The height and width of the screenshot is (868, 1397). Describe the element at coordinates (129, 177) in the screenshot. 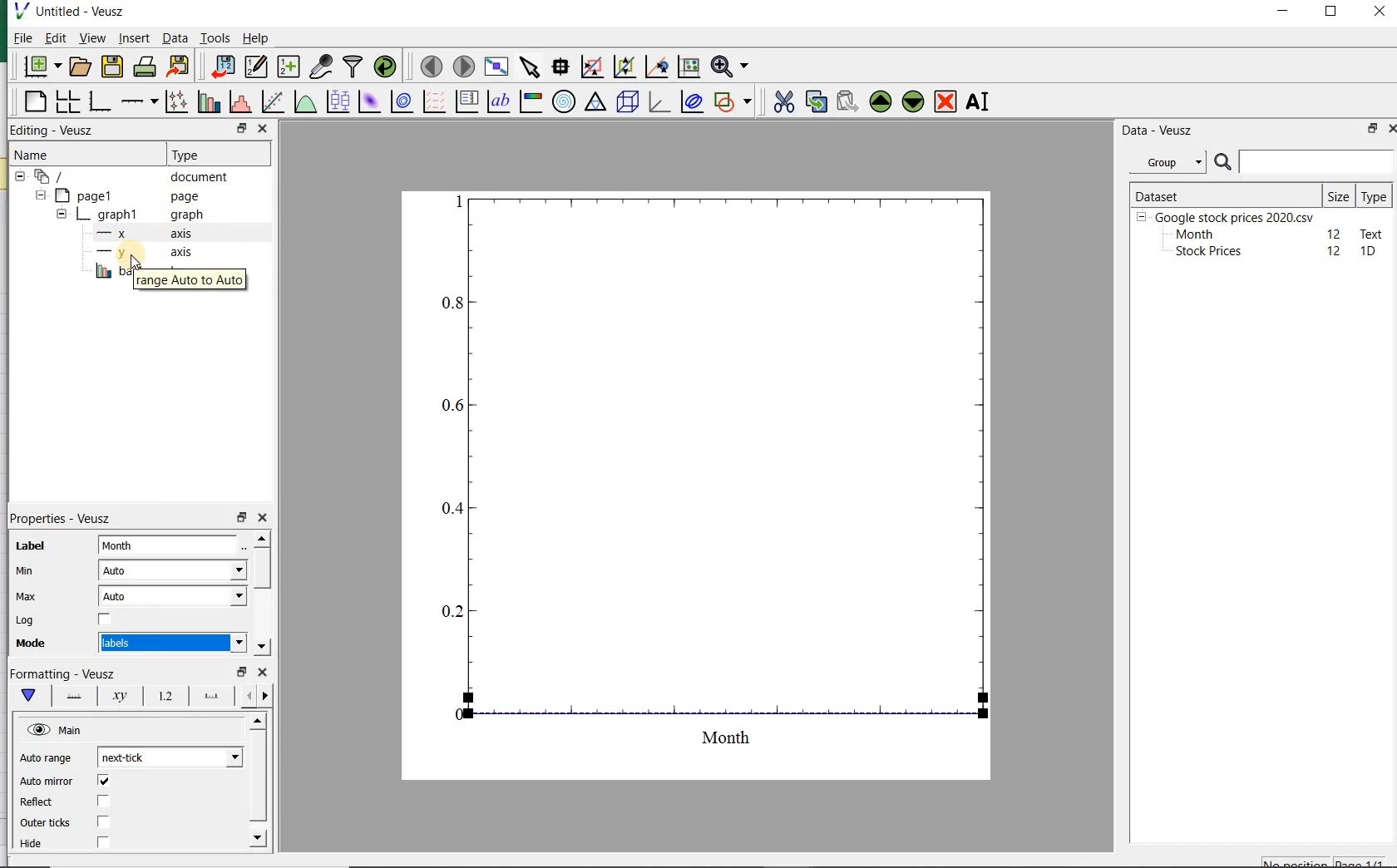

I see `document` at that location.